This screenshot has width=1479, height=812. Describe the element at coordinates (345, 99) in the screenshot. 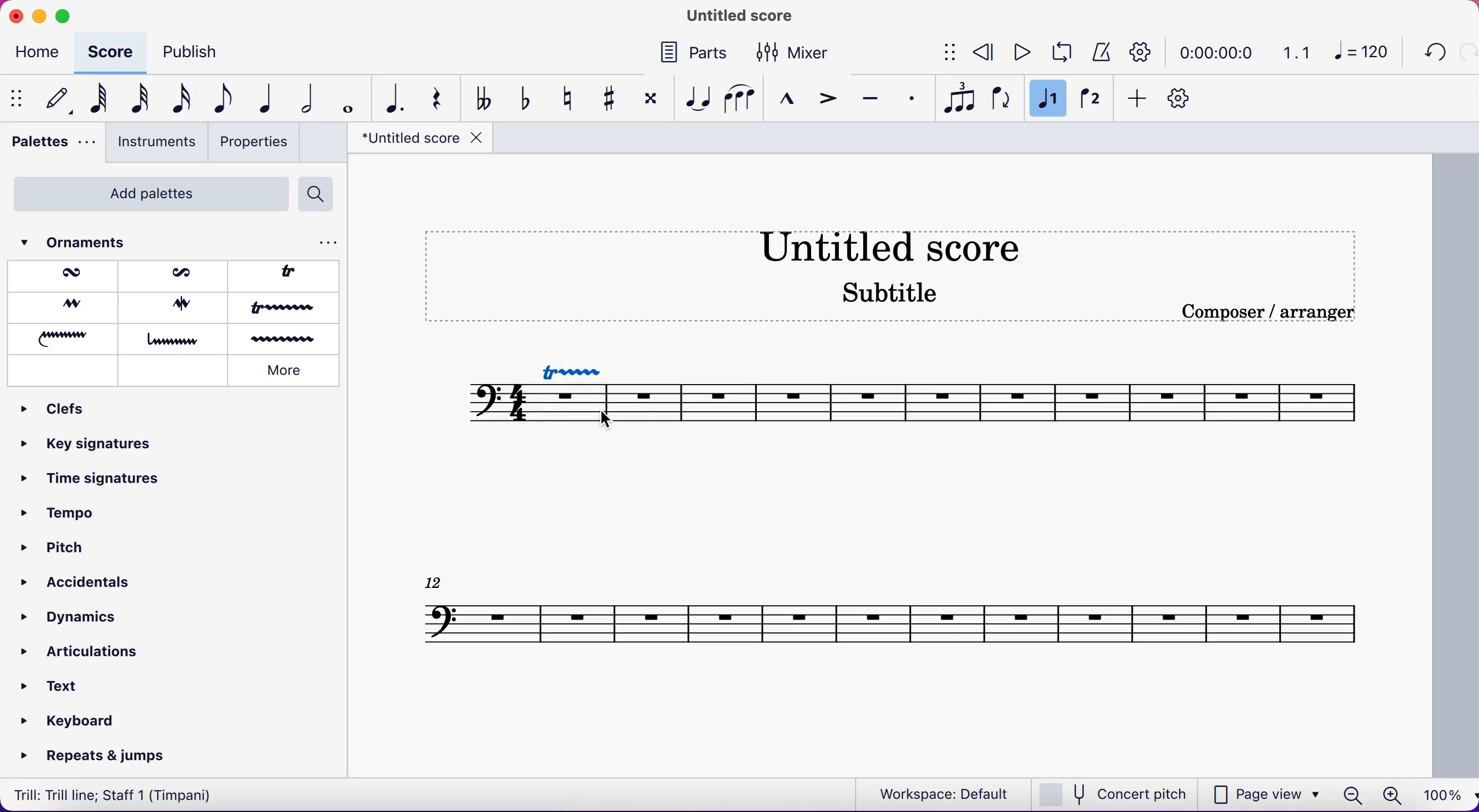

I see `whole note` at that location.